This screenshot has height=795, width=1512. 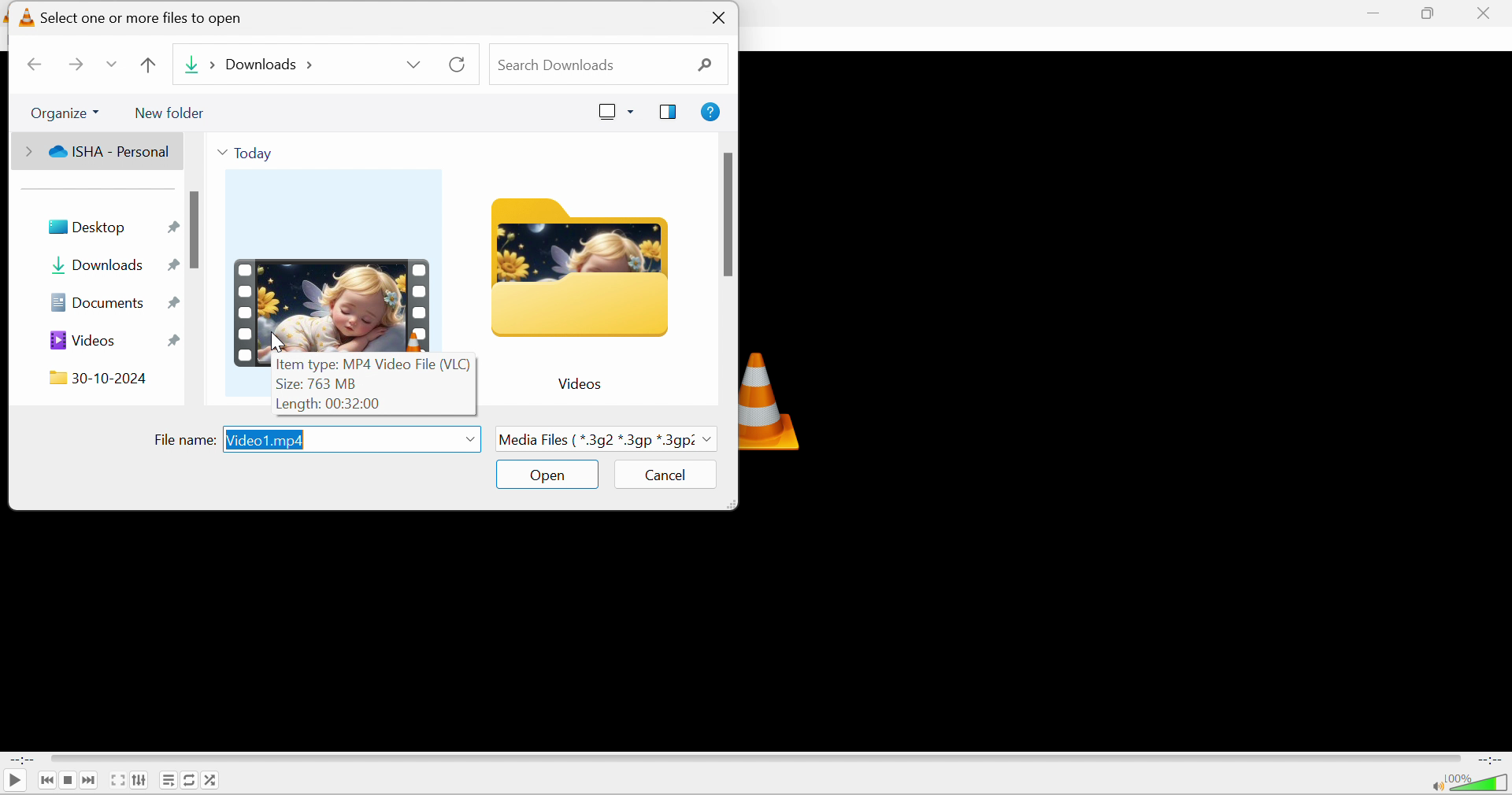 I want to click on Search, so click(x=706, y=65).